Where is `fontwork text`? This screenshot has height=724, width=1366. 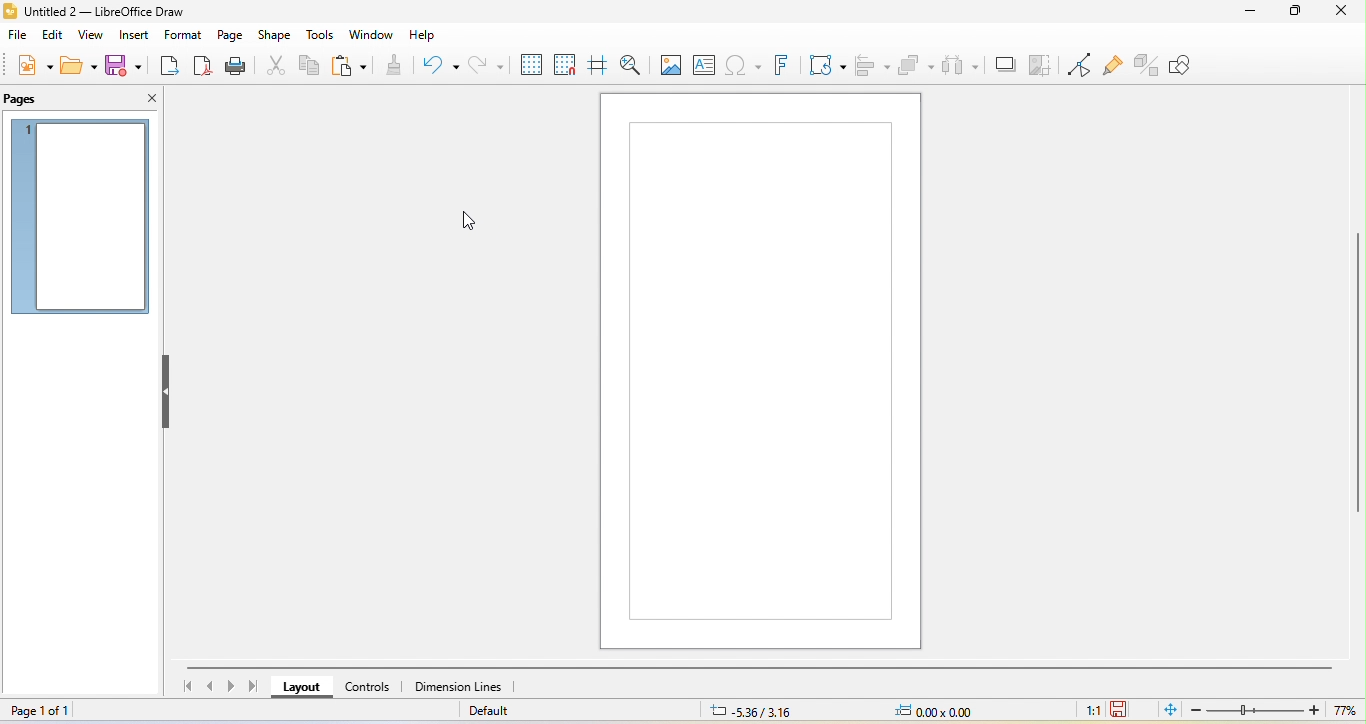
fontwork text is located at coordinates (788, 65).